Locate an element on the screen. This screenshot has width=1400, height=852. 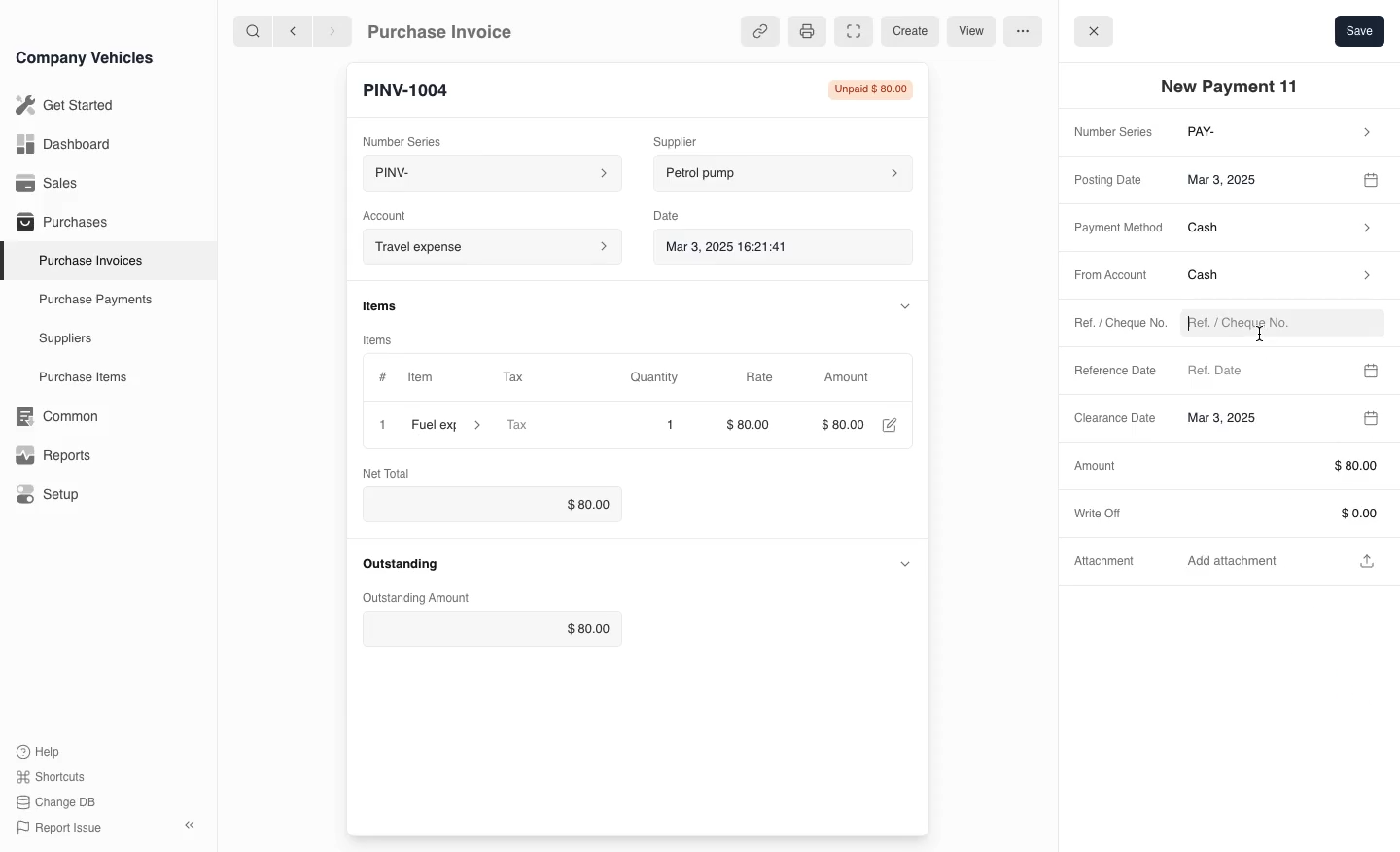
Sales is located at coordinates (48, 183).